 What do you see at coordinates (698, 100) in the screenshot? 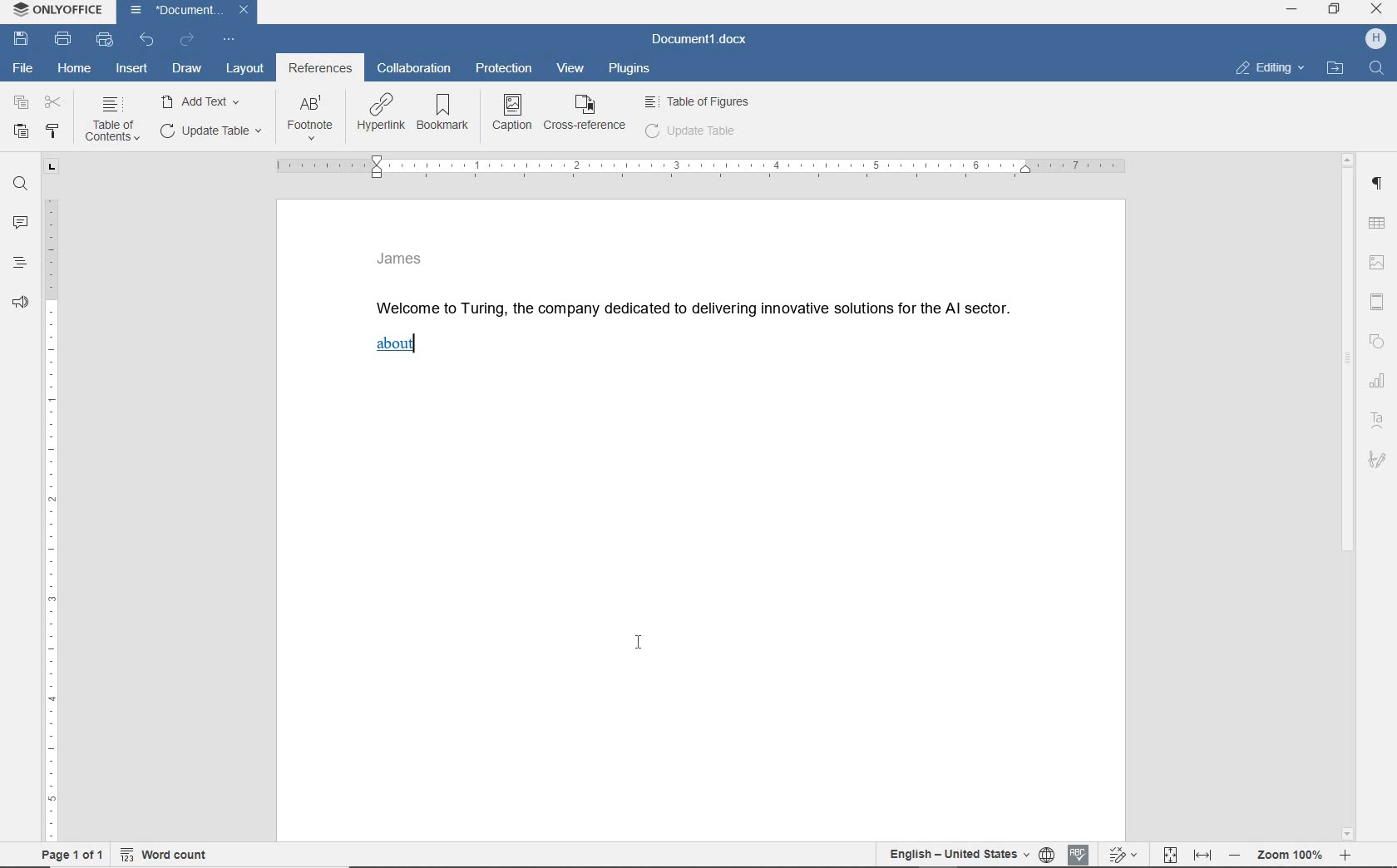
I see `Table of figures` at bounding box center [698, 100].